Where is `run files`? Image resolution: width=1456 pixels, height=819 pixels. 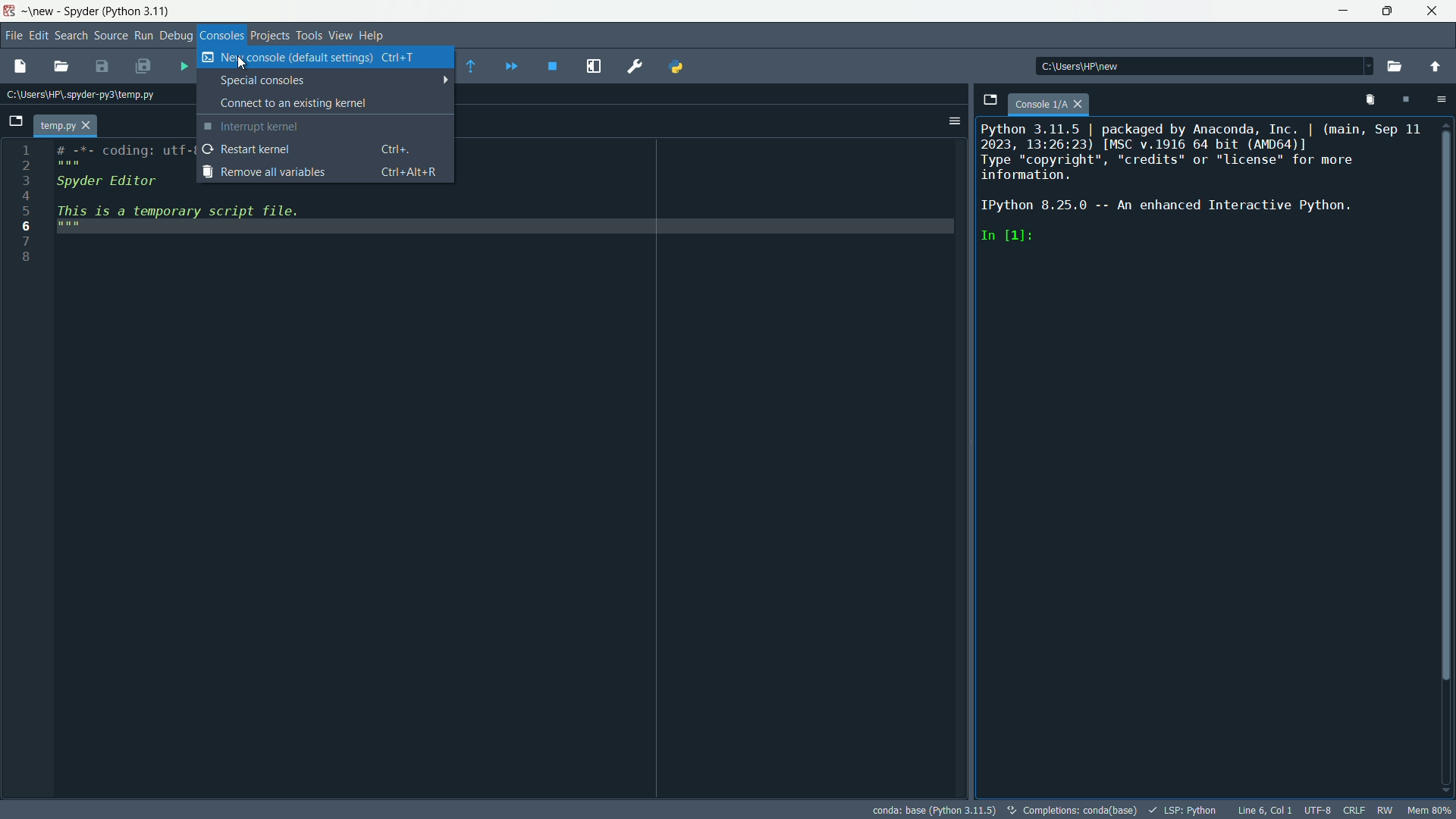
run files is located at coordinates (184, 65).